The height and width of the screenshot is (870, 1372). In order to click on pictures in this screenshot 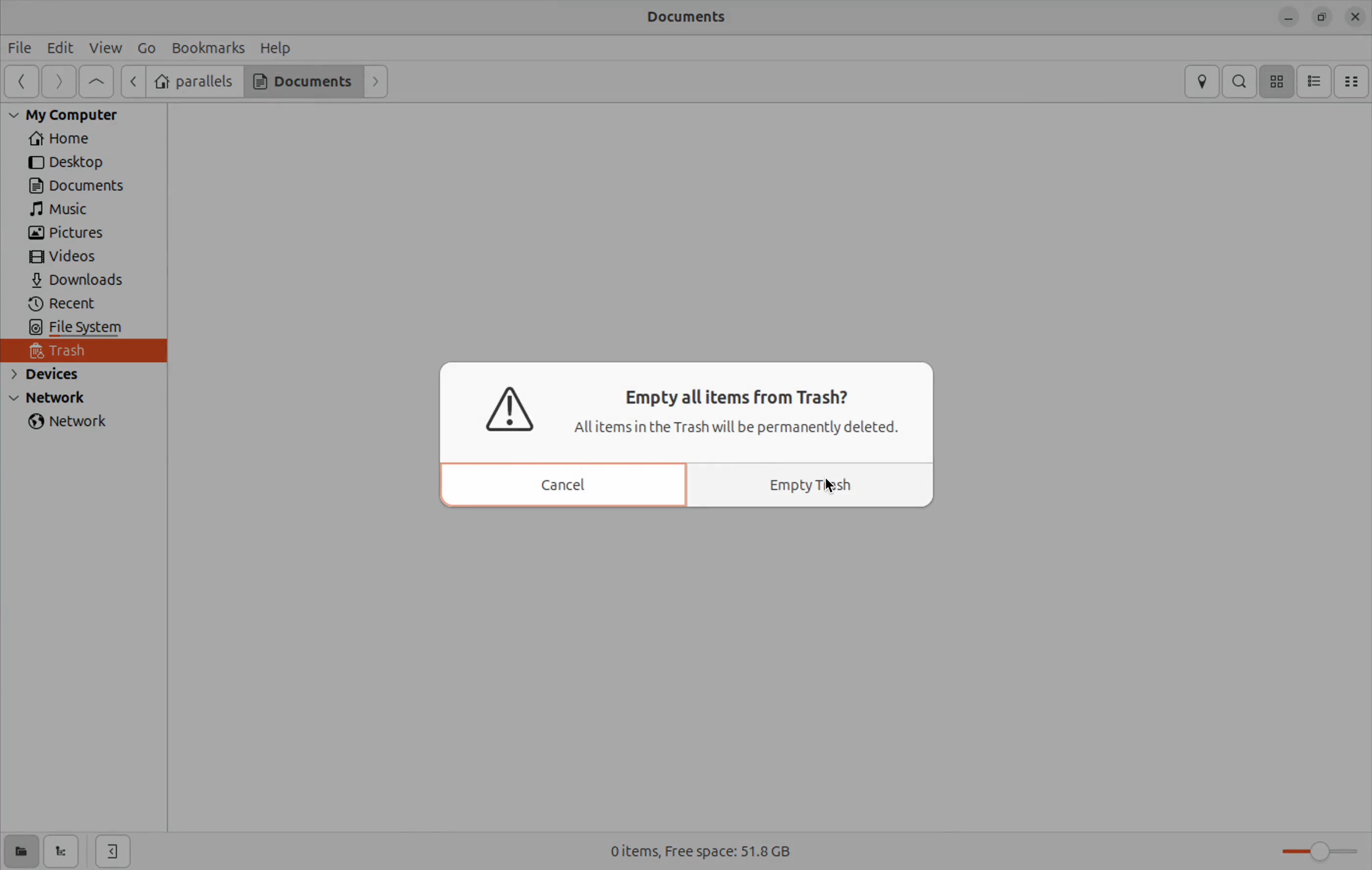, I will do `click(72, 234)`.